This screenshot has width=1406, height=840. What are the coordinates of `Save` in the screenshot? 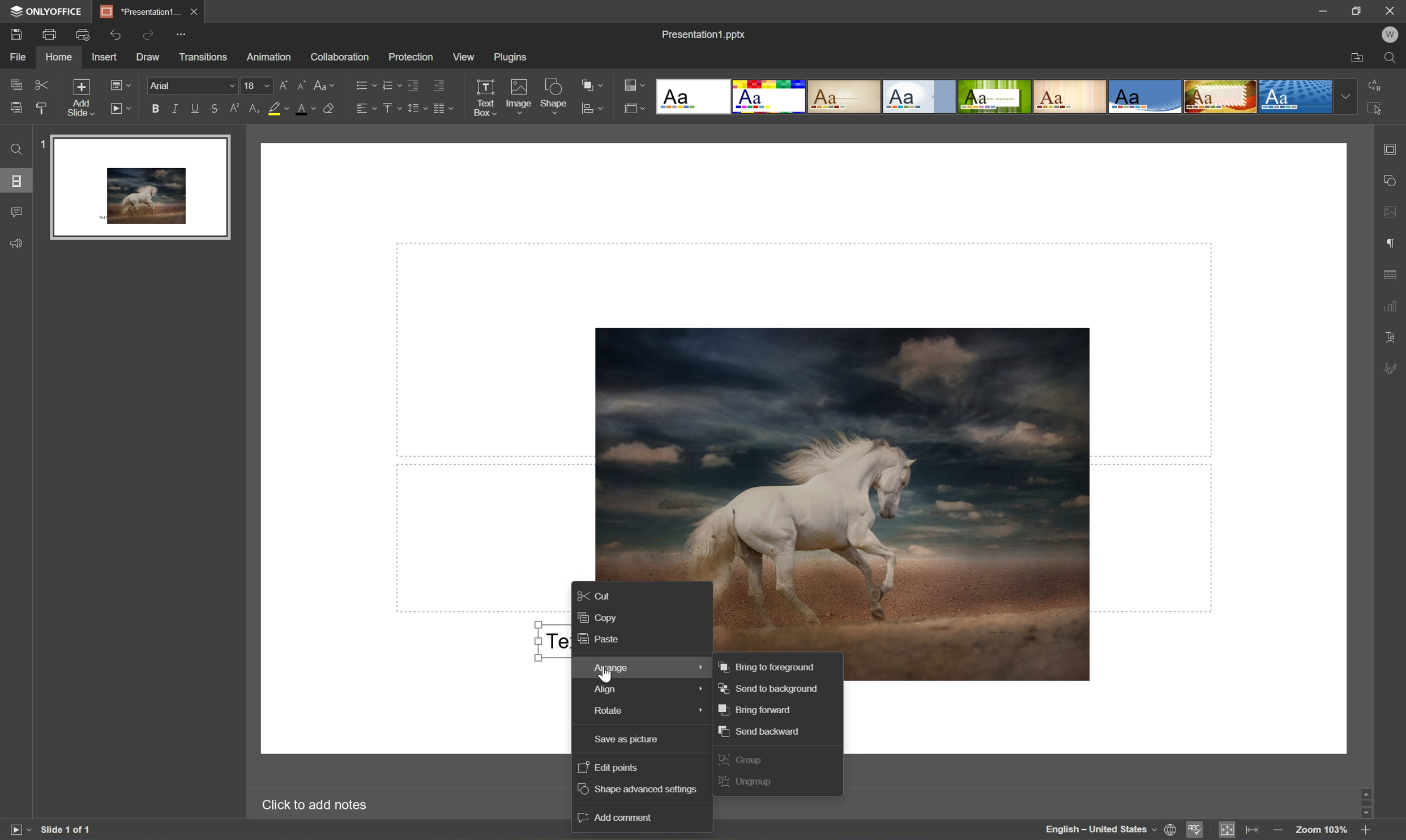 It's located at (191, 11).